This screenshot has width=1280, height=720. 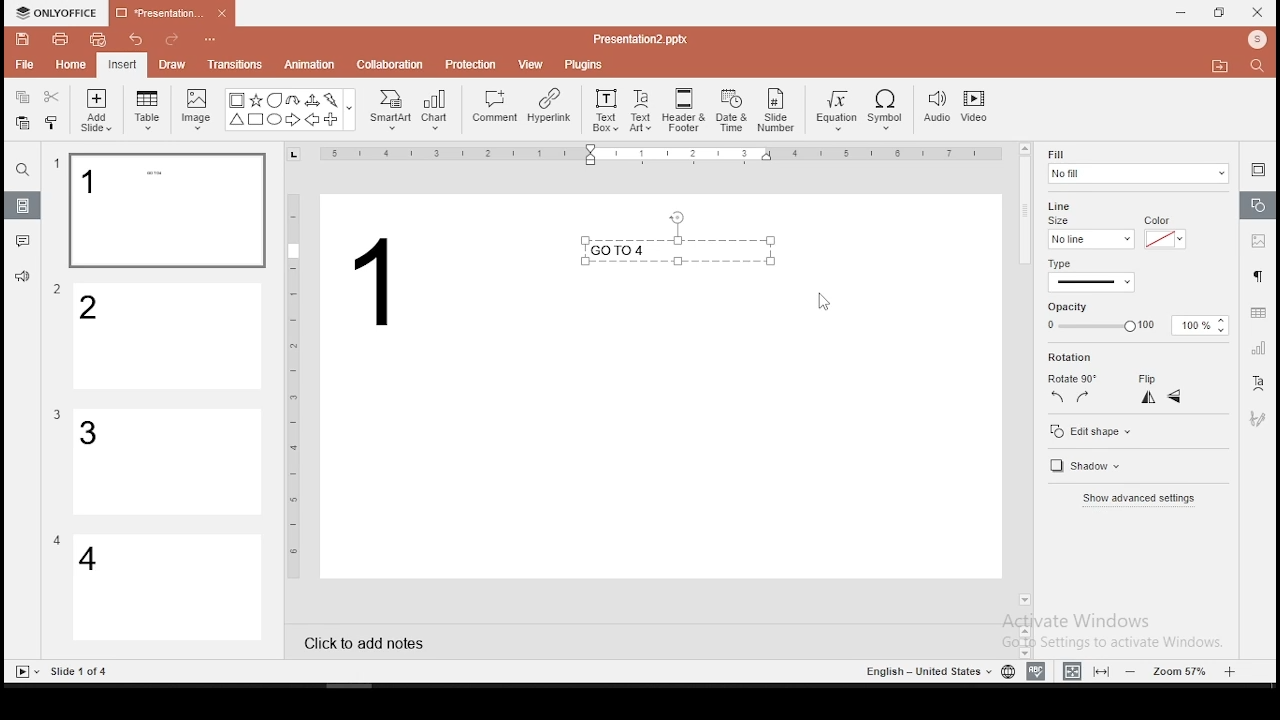 I want to click on smart, so click(x=388, y=110).